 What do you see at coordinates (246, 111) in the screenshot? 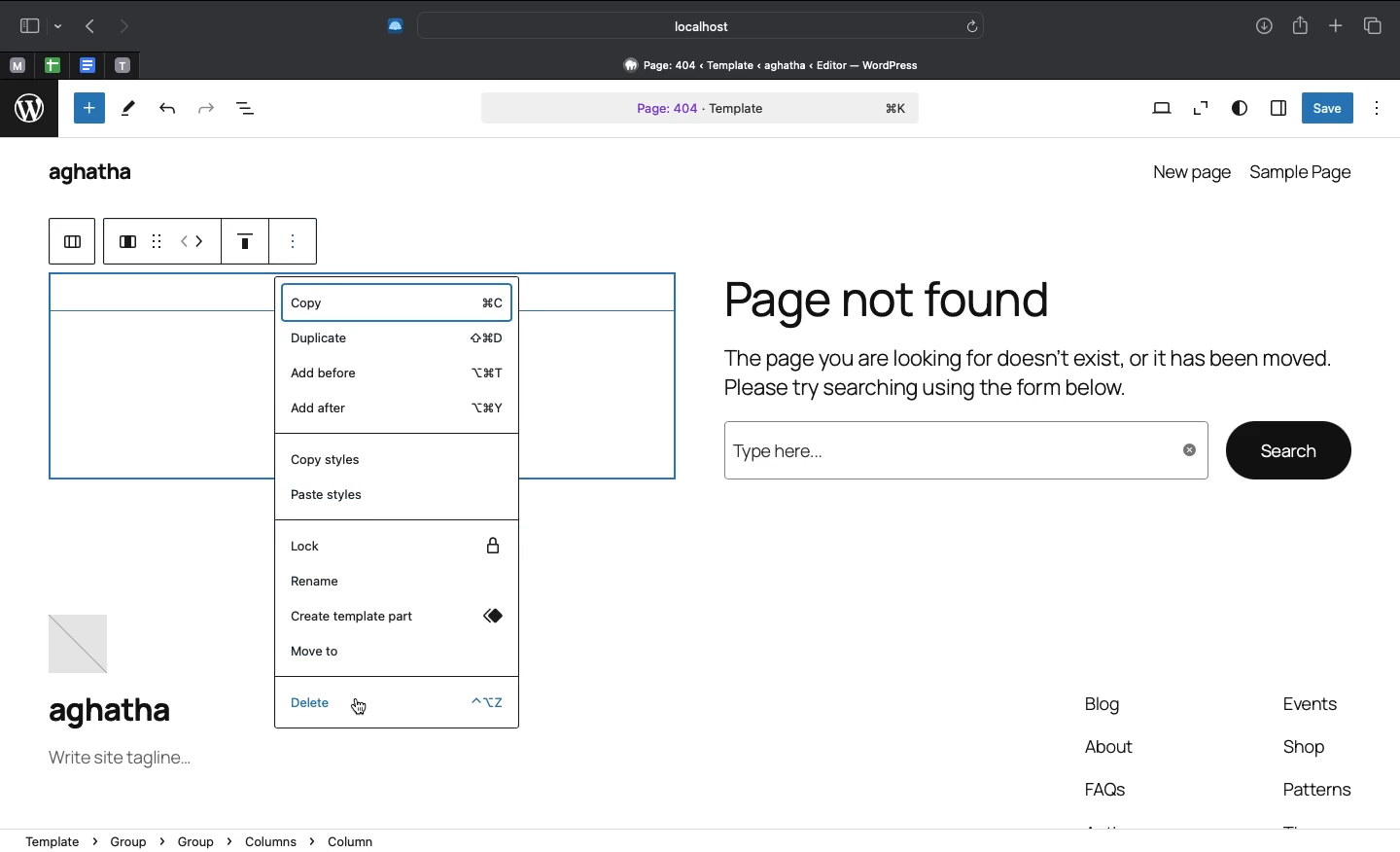
I see `Document overview` at bounding box center [246, 111].